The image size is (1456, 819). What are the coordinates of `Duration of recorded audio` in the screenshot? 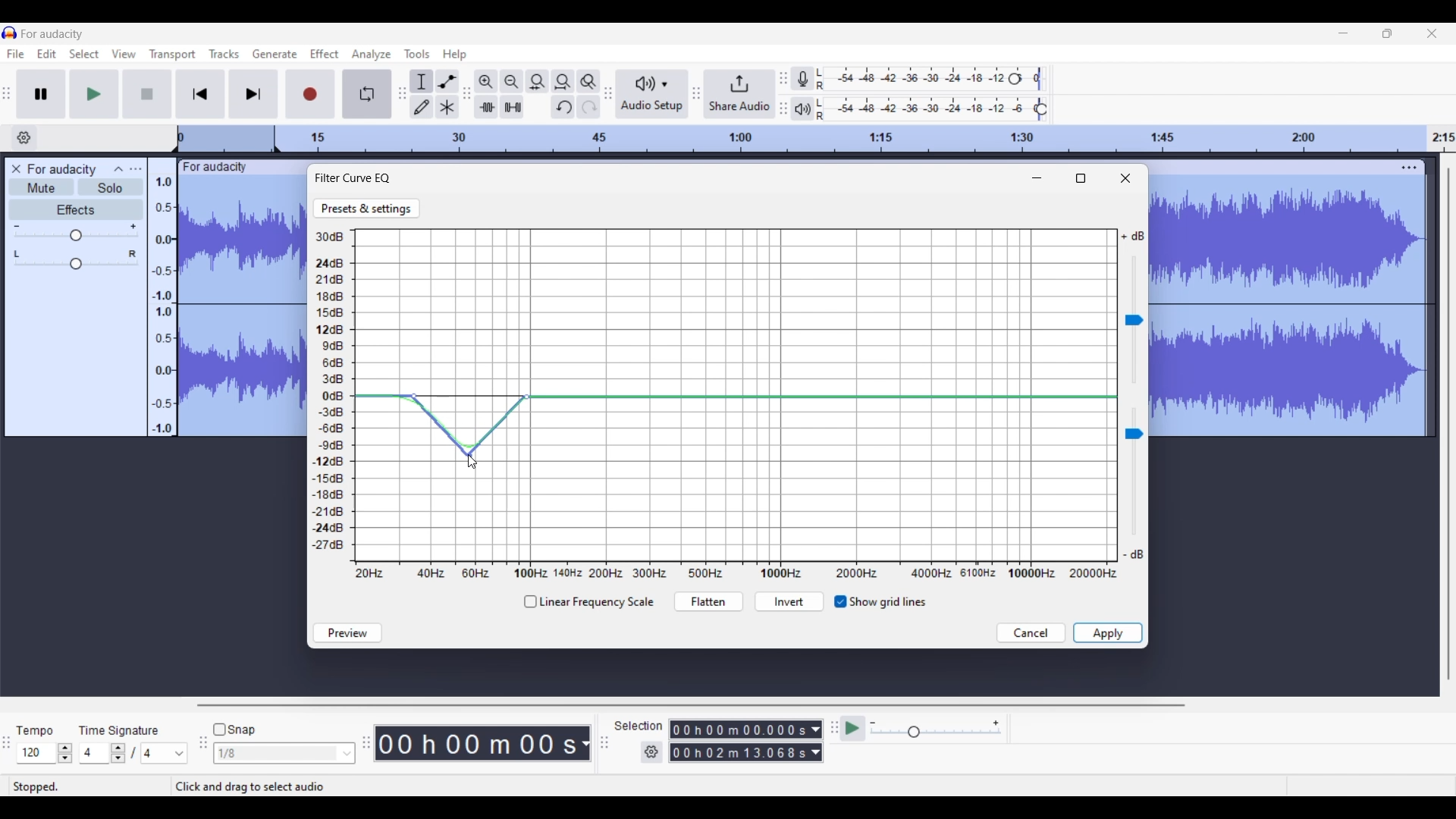 It's located at (478, 744).